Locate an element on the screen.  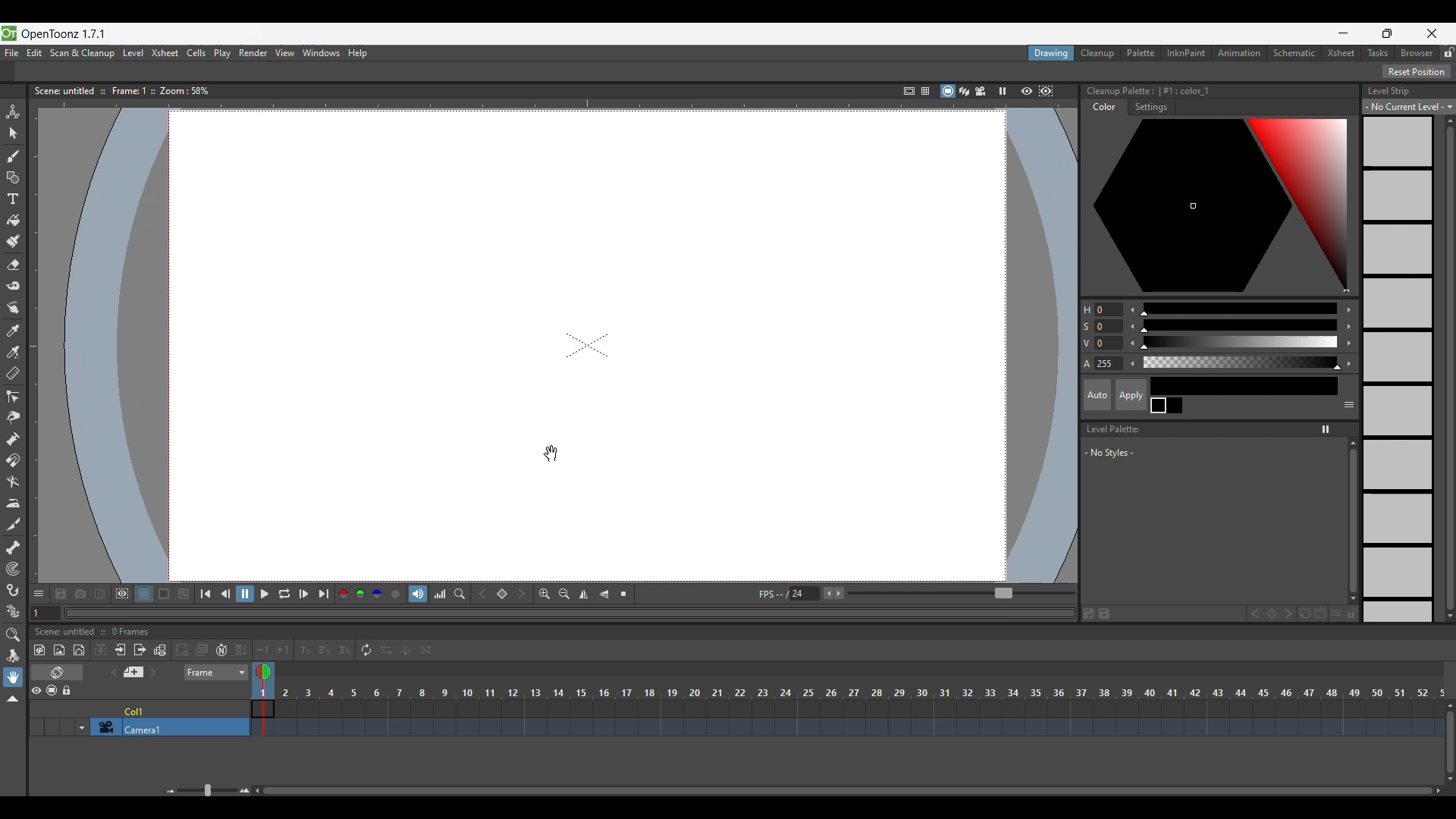
Color is located at coordinates (1104, 107).